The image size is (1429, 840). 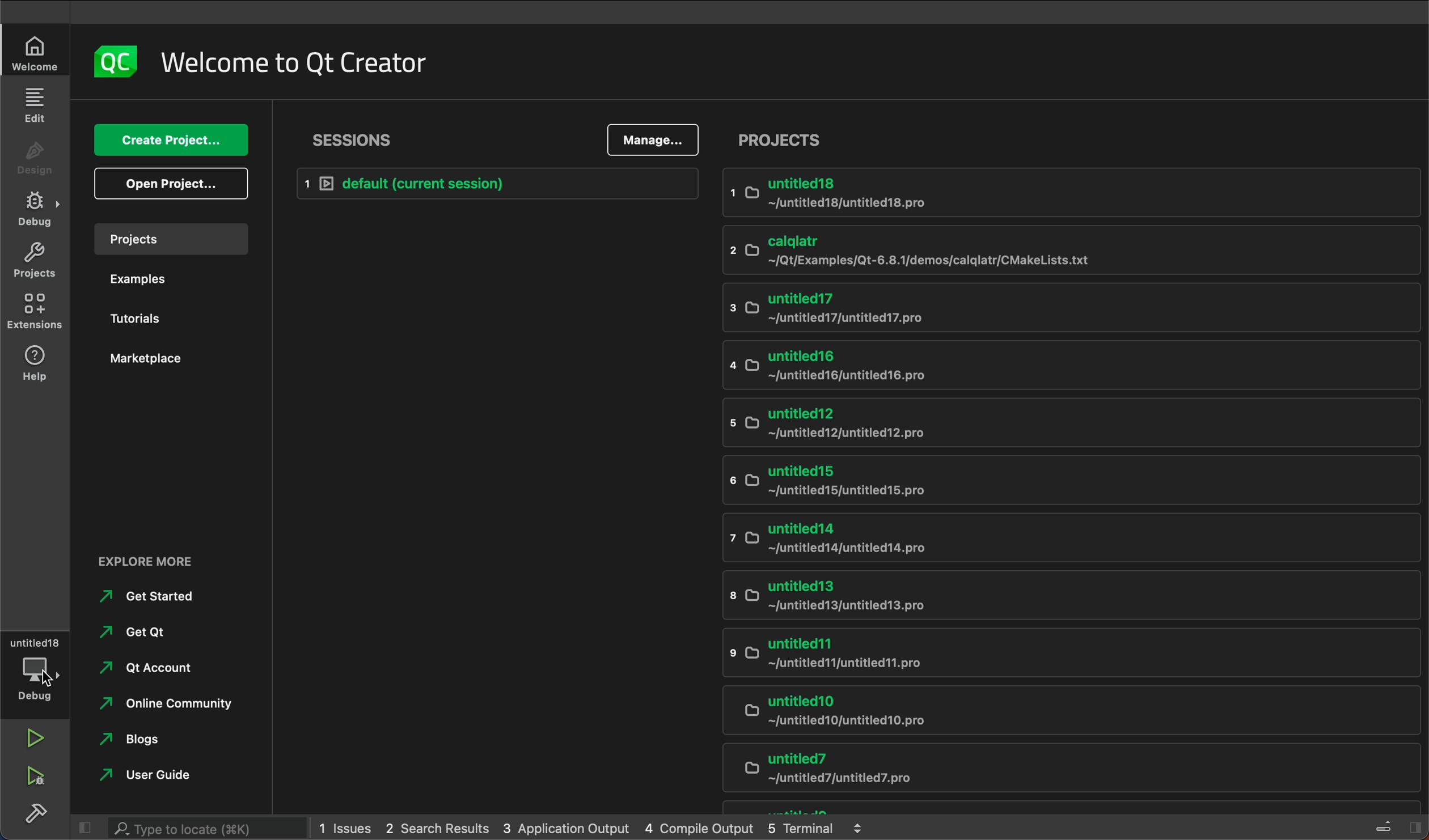 I want to click on explore more, so click(x=175, y=559).